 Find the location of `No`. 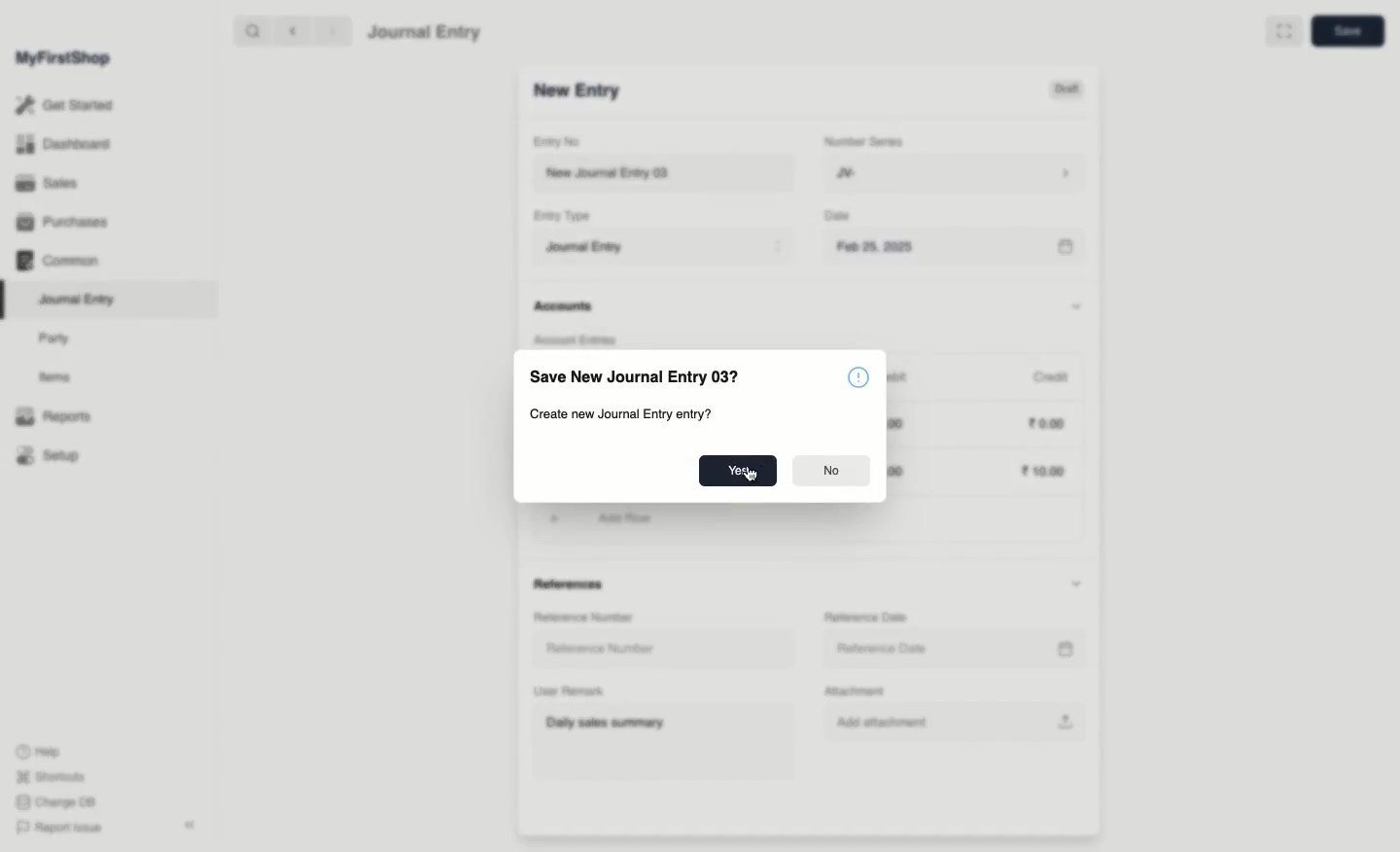

No is located at coordinates (833, 470).